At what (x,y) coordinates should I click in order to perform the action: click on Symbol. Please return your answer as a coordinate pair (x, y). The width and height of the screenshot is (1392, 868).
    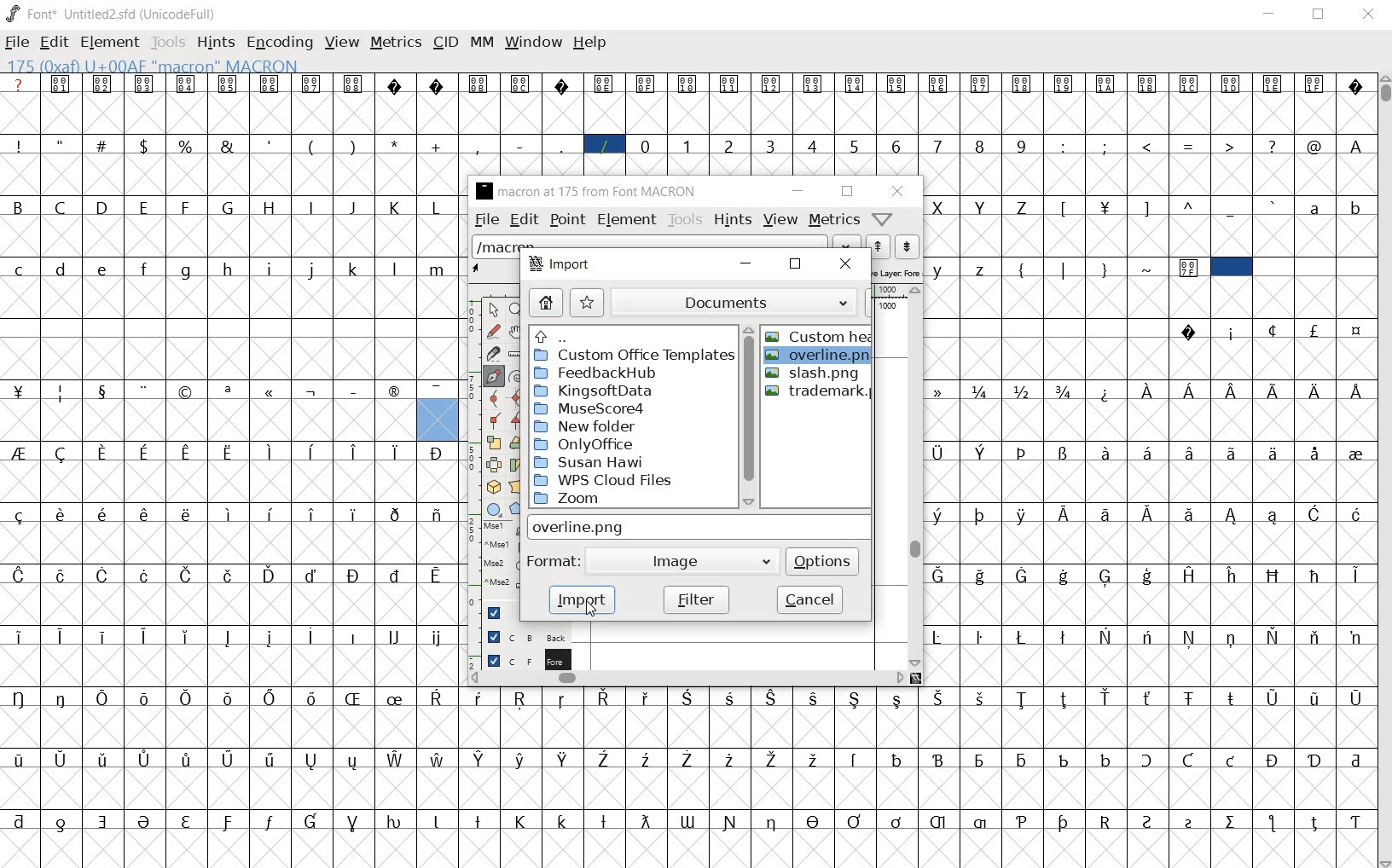
    Looking at the image, I should click on (856, 821).